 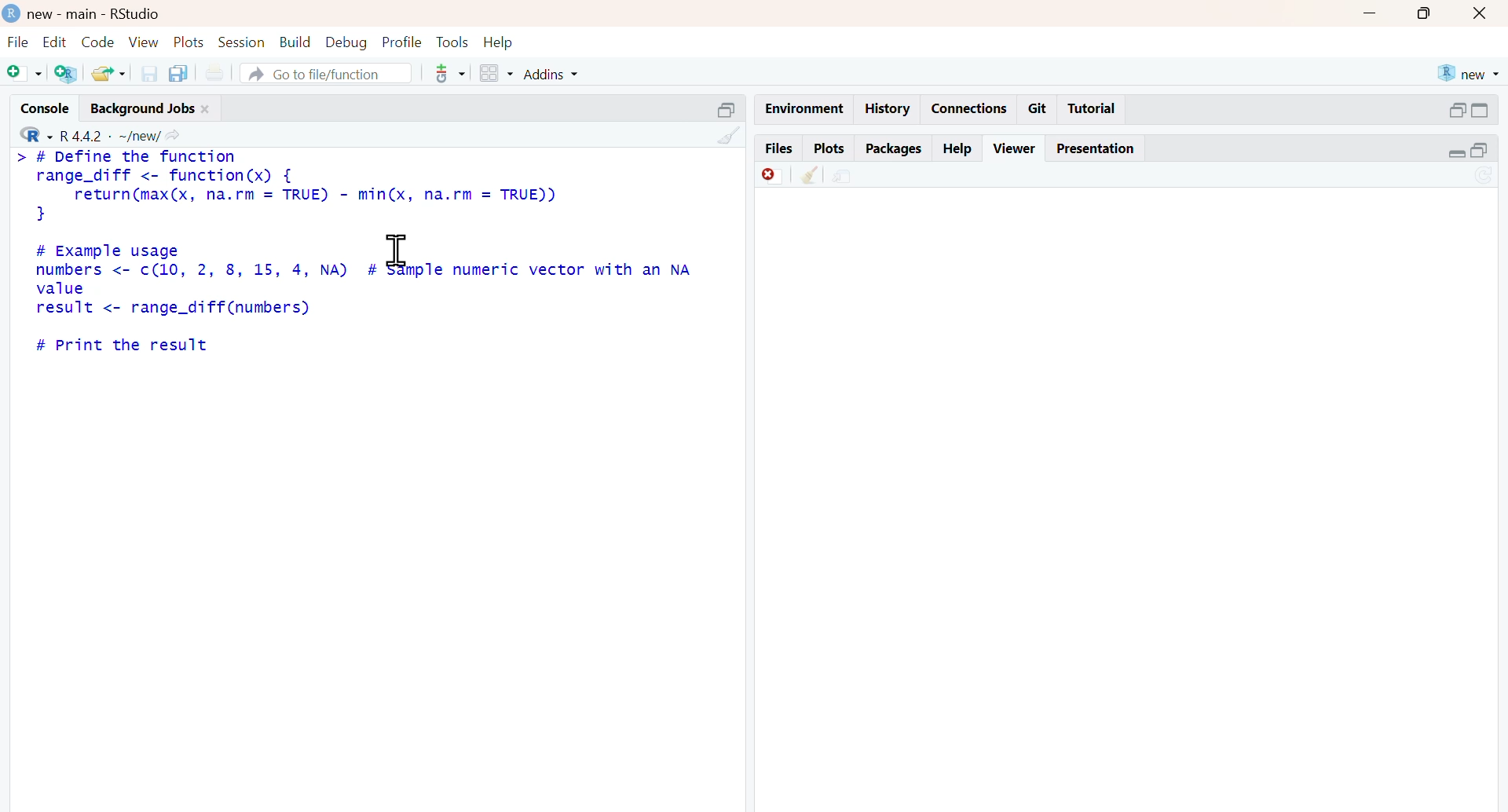 What do you see at coordinates (287, 188) in the screenshot?
I see `> # Define the function
range_diff <- function(x) {
return(max(x, na.rm = TRUE) - min(x, na.rm = TRUE))
}` at bounding box center [287, 188].